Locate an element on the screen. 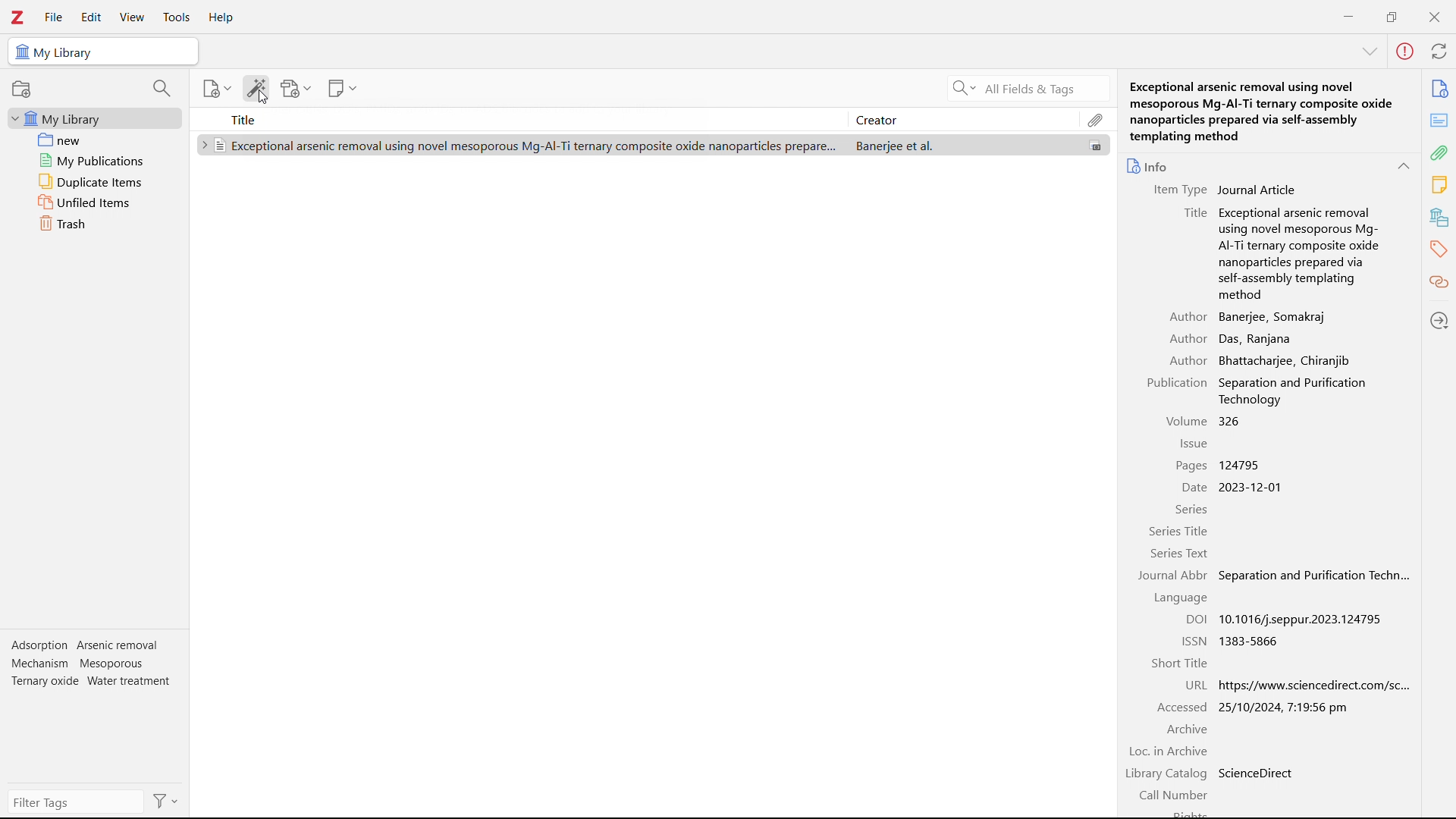  logo is located at coordinates (17, 17).